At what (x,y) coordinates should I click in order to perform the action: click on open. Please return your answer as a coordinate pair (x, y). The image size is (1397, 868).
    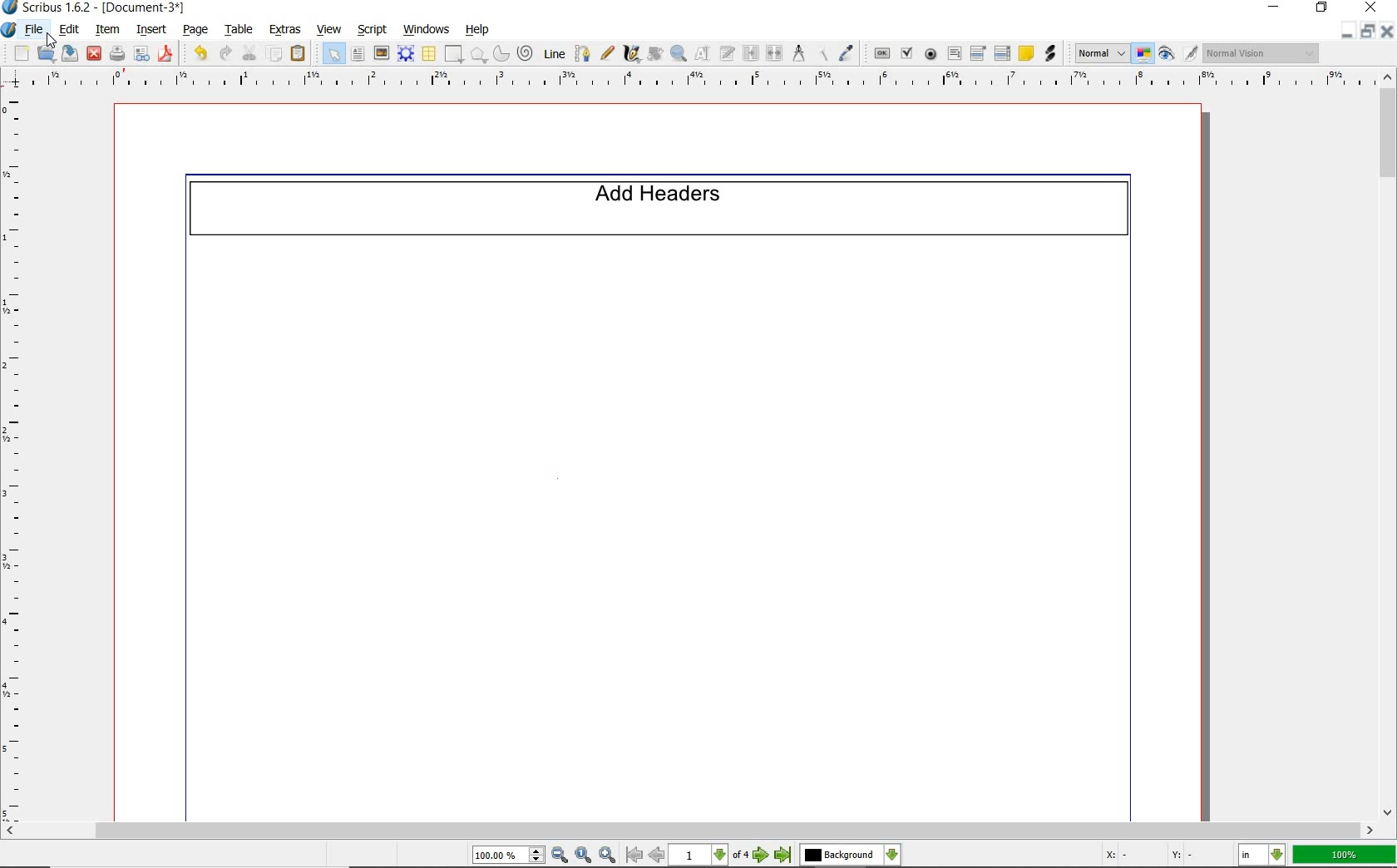
    Looking at the image, I should click on (46, 53).